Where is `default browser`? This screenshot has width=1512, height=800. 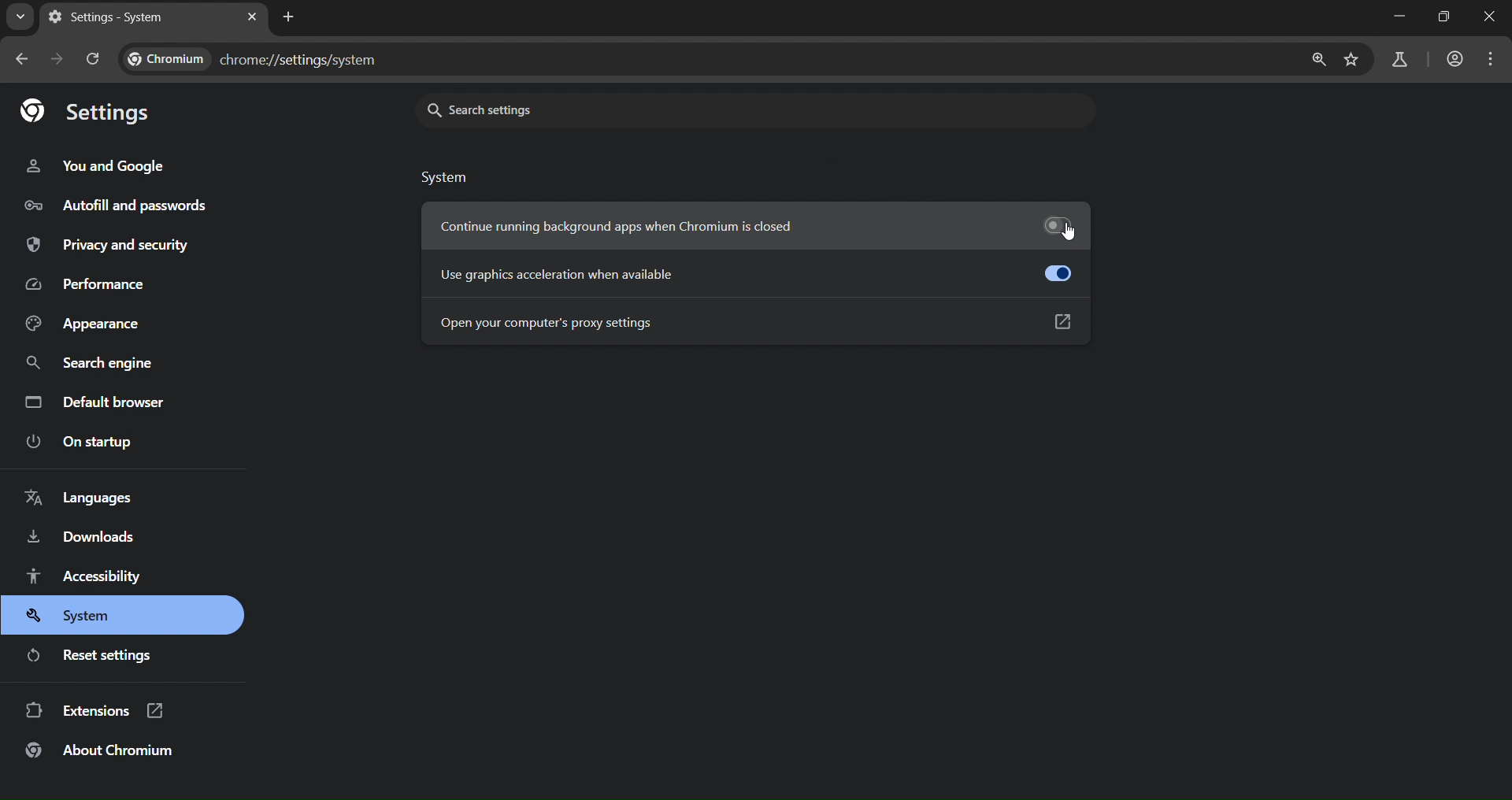 default browser is located at coordinates (100, 402).